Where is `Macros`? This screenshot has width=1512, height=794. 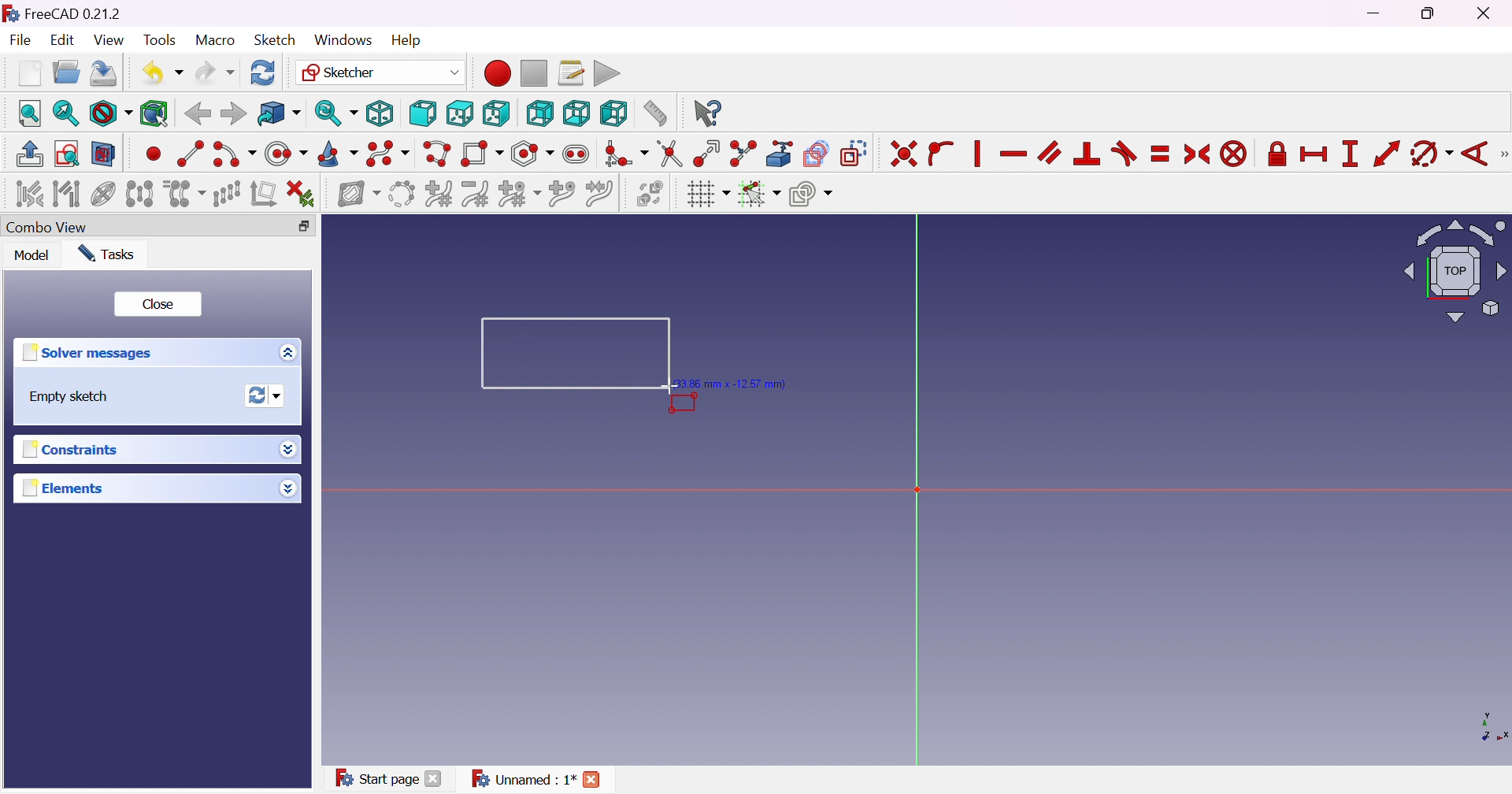
Macros is located at coordinates (571, 72).